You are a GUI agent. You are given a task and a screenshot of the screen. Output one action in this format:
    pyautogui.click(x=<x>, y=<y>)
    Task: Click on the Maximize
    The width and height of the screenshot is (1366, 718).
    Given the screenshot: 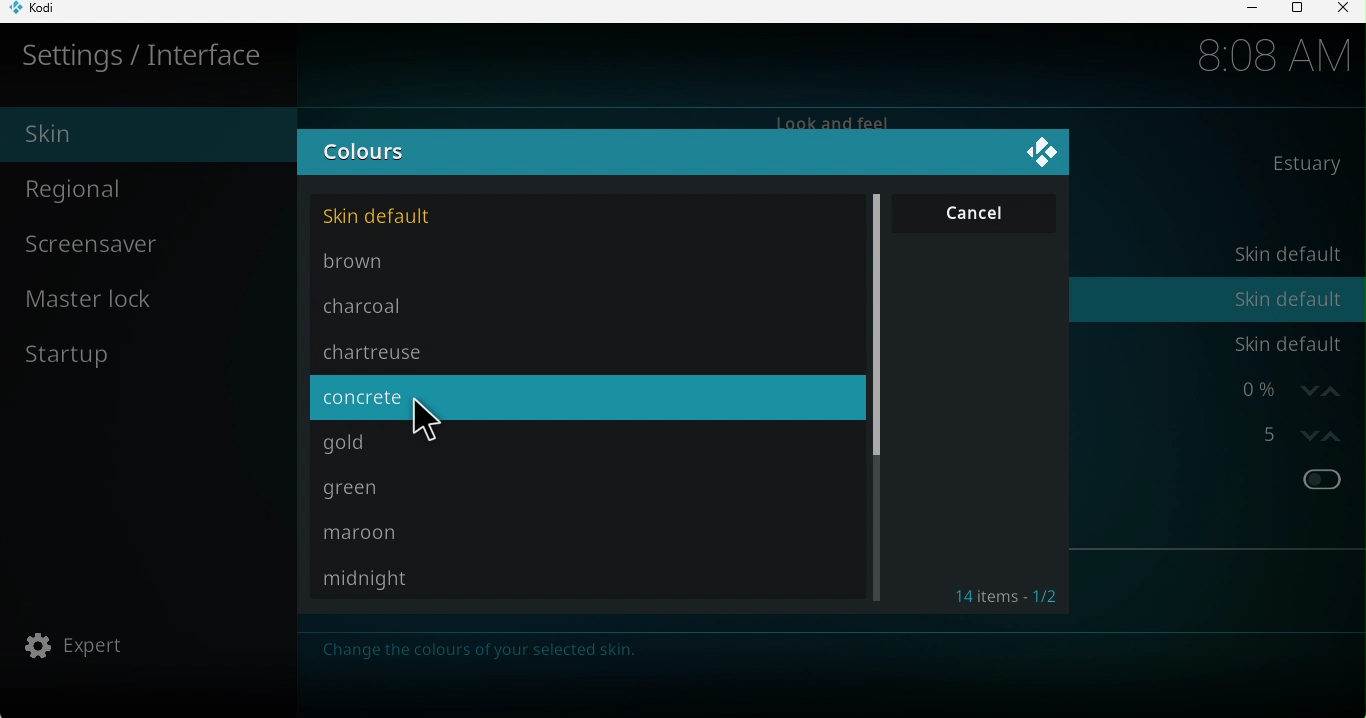 What is the action you would take?
    pyautogui.click(x=1295, y=10)
    